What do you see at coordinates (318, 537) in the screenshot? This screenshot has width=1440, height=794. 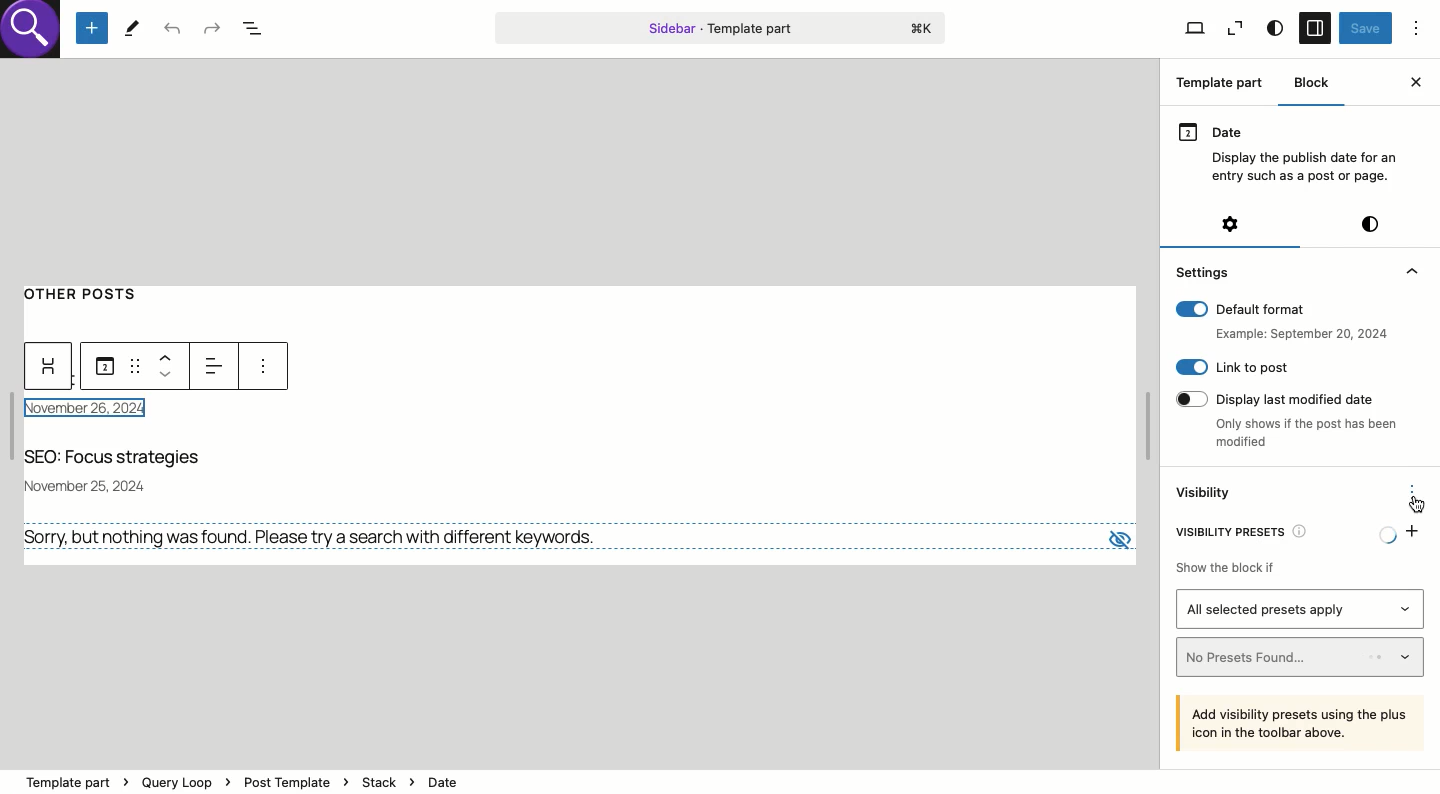 I see `No results` at bounding box center [318, 537].